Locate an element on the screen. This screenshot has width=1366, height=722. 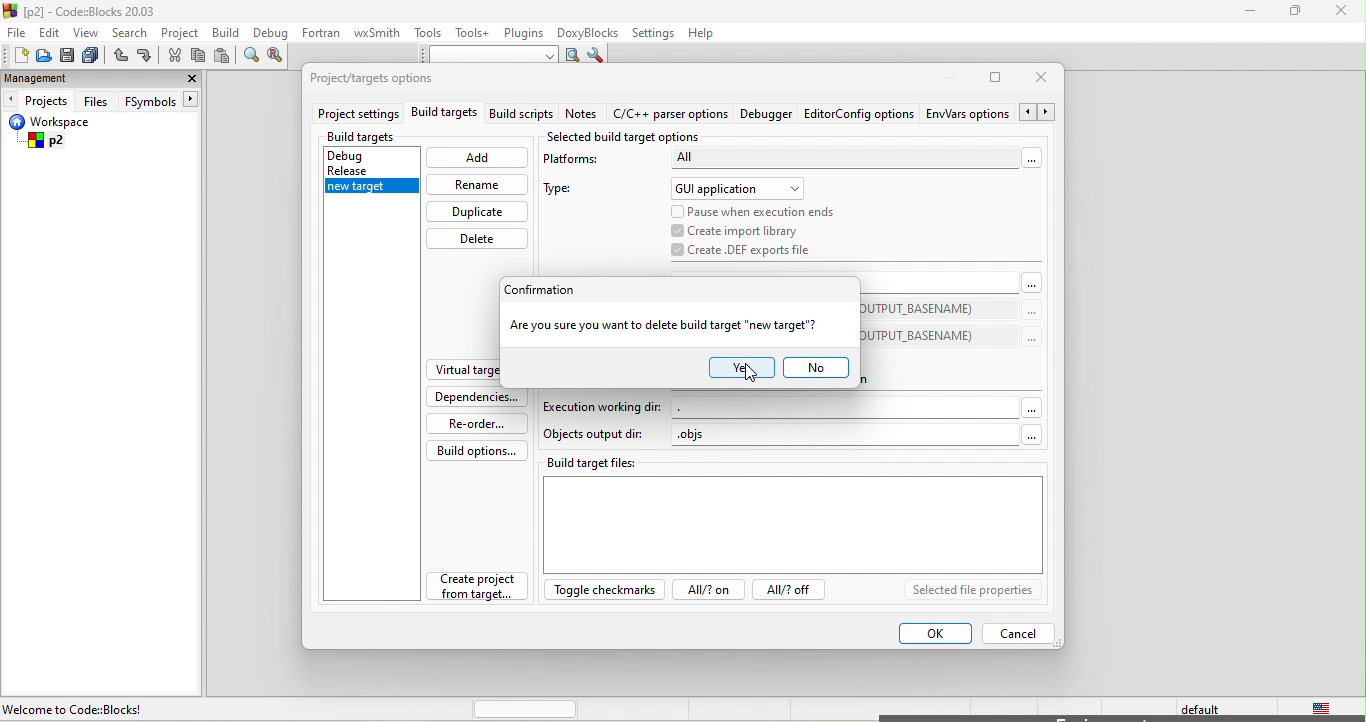
minimize is located at coordinates (955, 78).